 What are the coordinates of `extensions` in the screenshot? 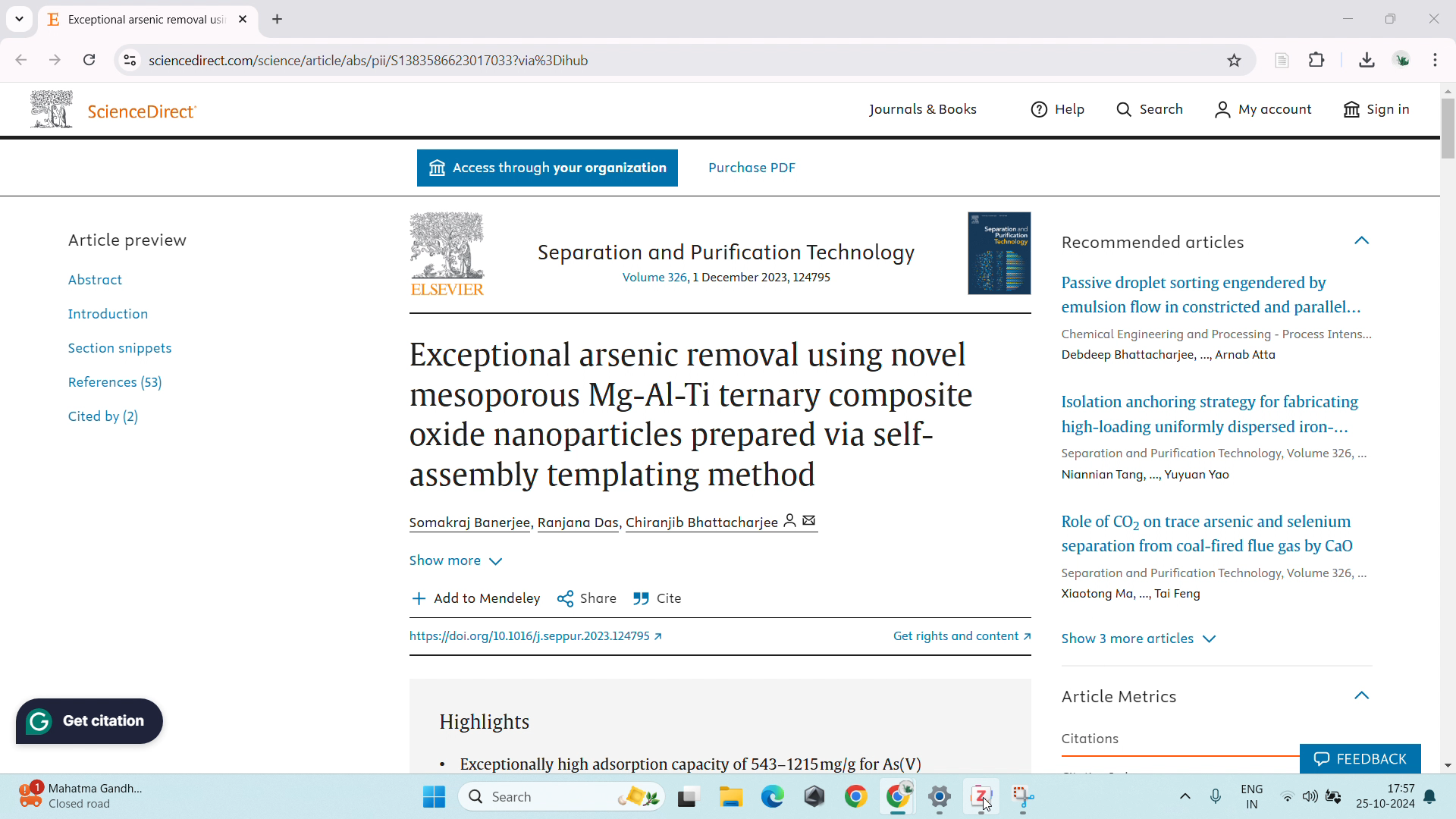 It's located at (1317, 58).